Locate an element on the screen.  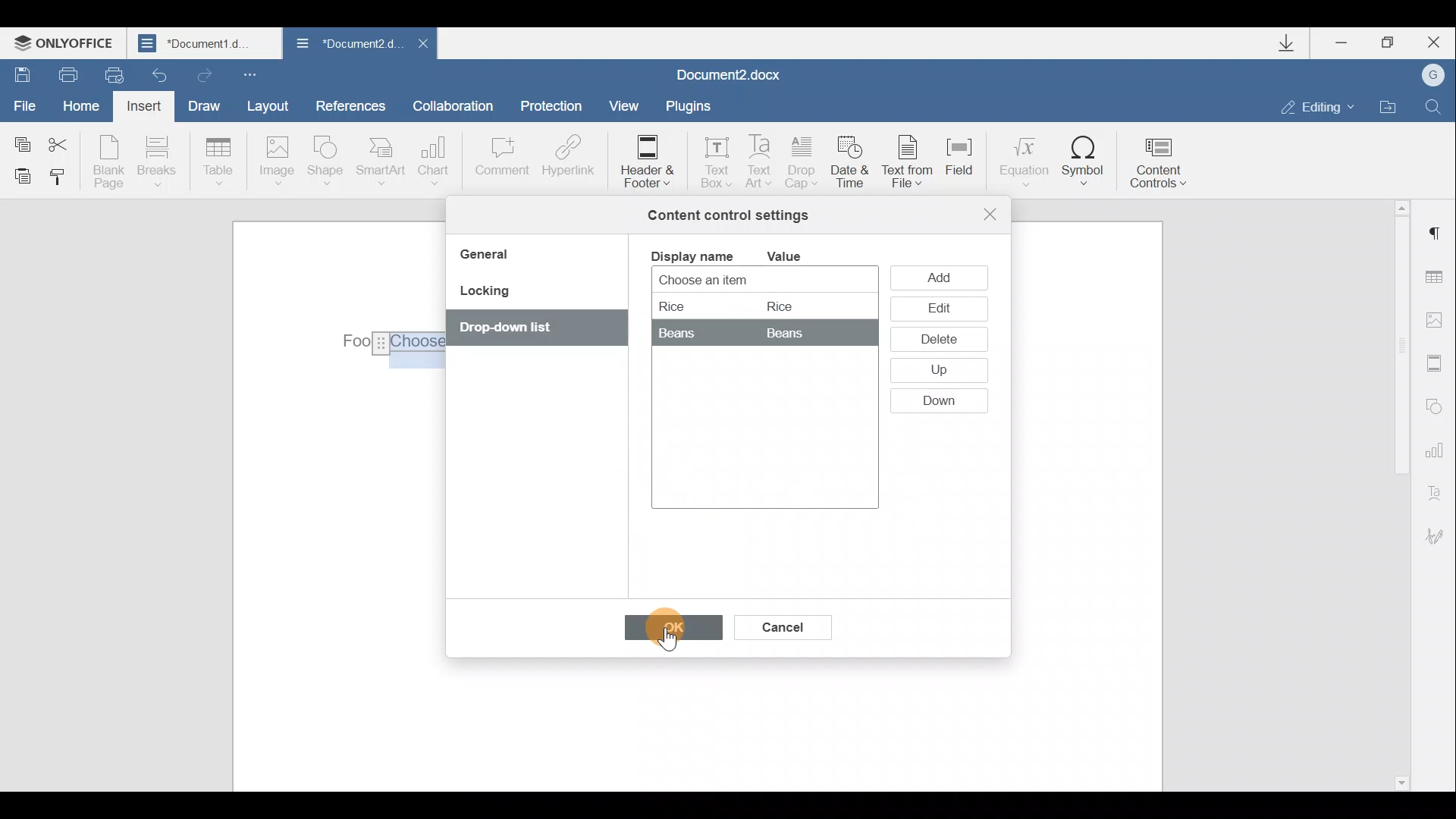
Edit is located at coordinates (938, 309).